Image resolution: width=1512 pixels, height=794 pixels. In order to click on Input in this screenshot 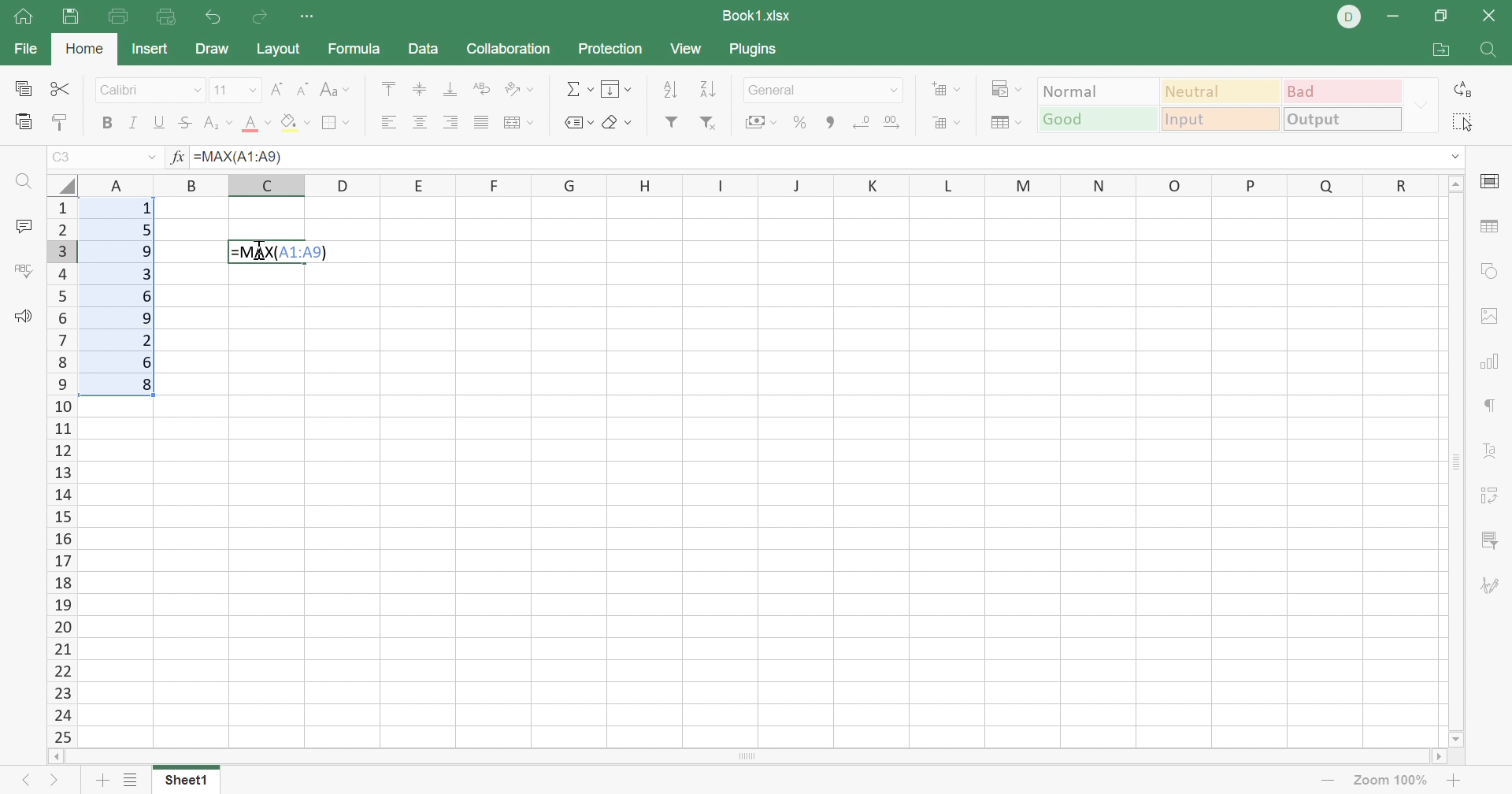, I will do `click(1221, 119)`.